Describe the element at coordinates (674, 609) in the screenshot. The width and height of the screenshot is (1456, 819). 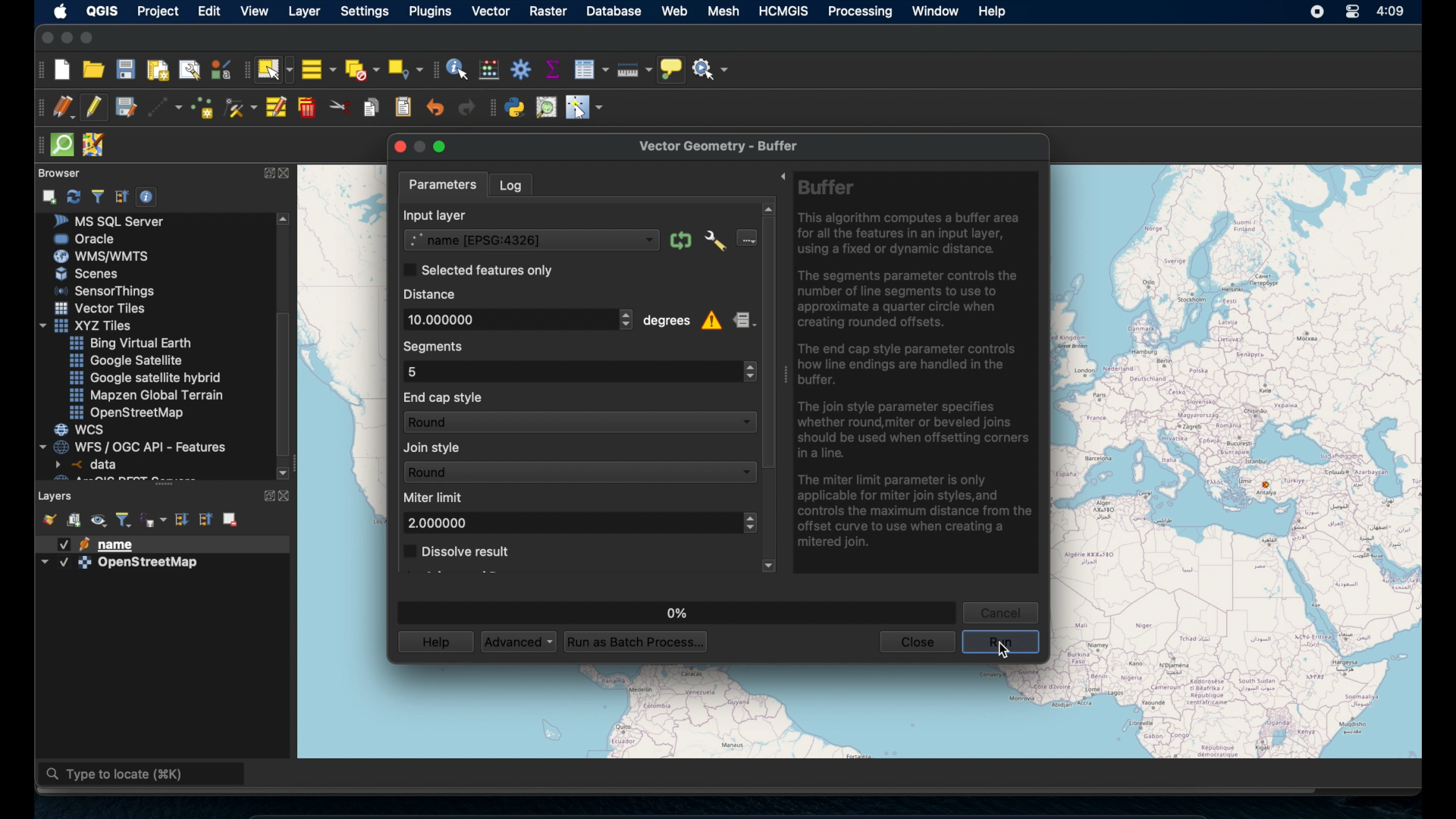
I see `o%` at that location.